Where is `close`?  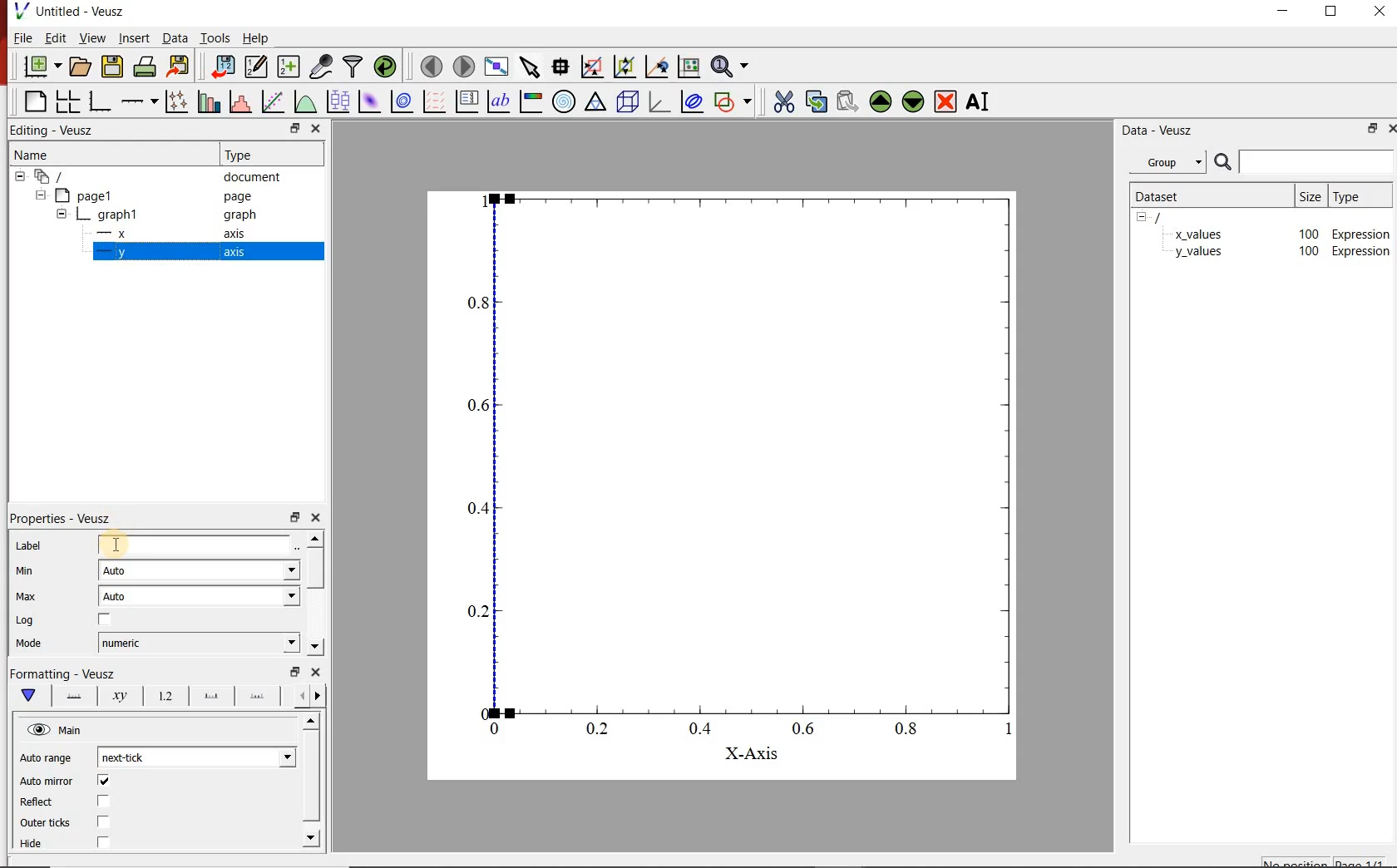 close is located at coordinates (317, 671).